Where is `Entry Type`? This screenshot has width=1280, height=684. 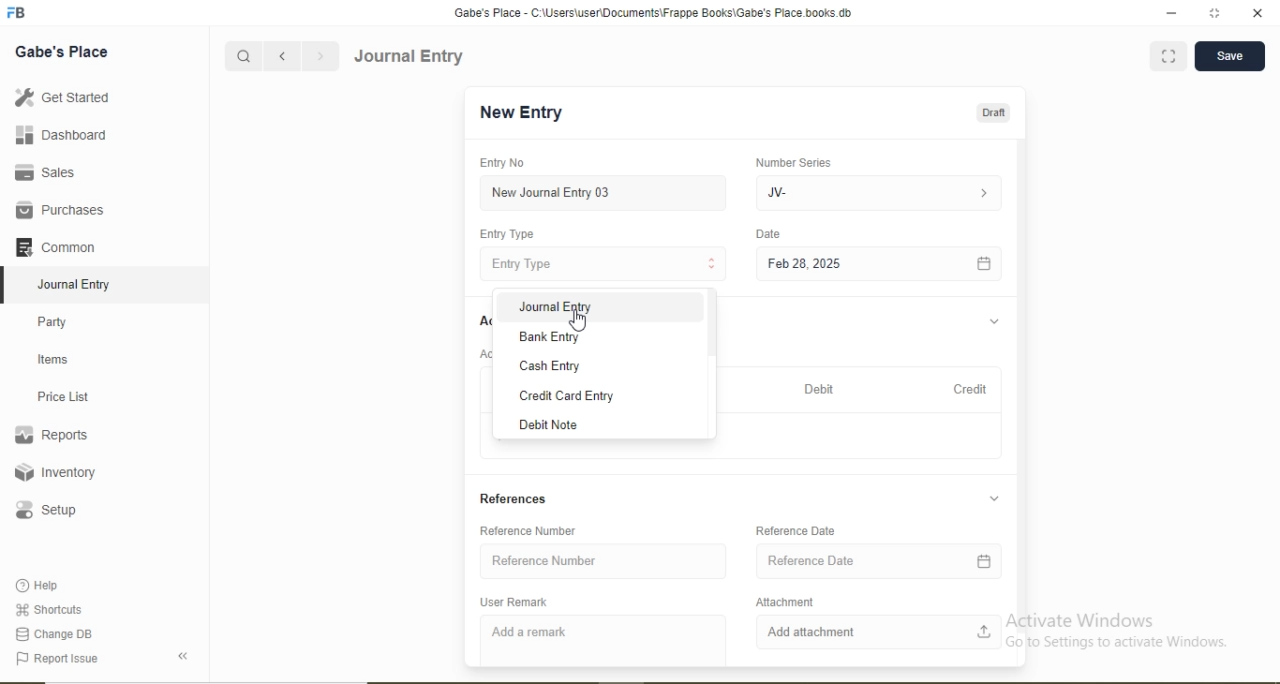 Entry Type is located at coordinates (505, 234).